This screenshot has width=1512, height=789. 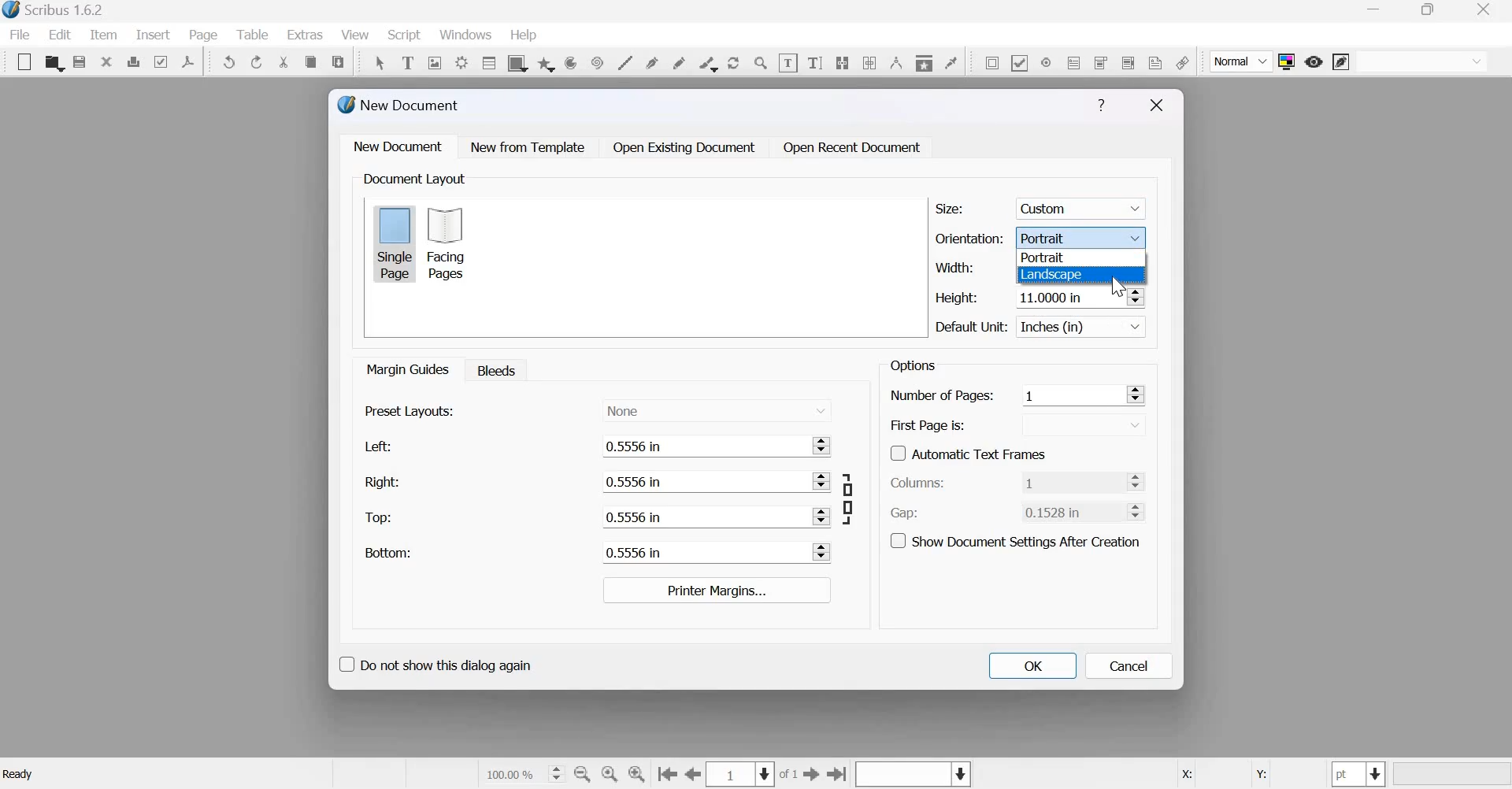 I want to click on freehand line, so click(x=679, y=61).